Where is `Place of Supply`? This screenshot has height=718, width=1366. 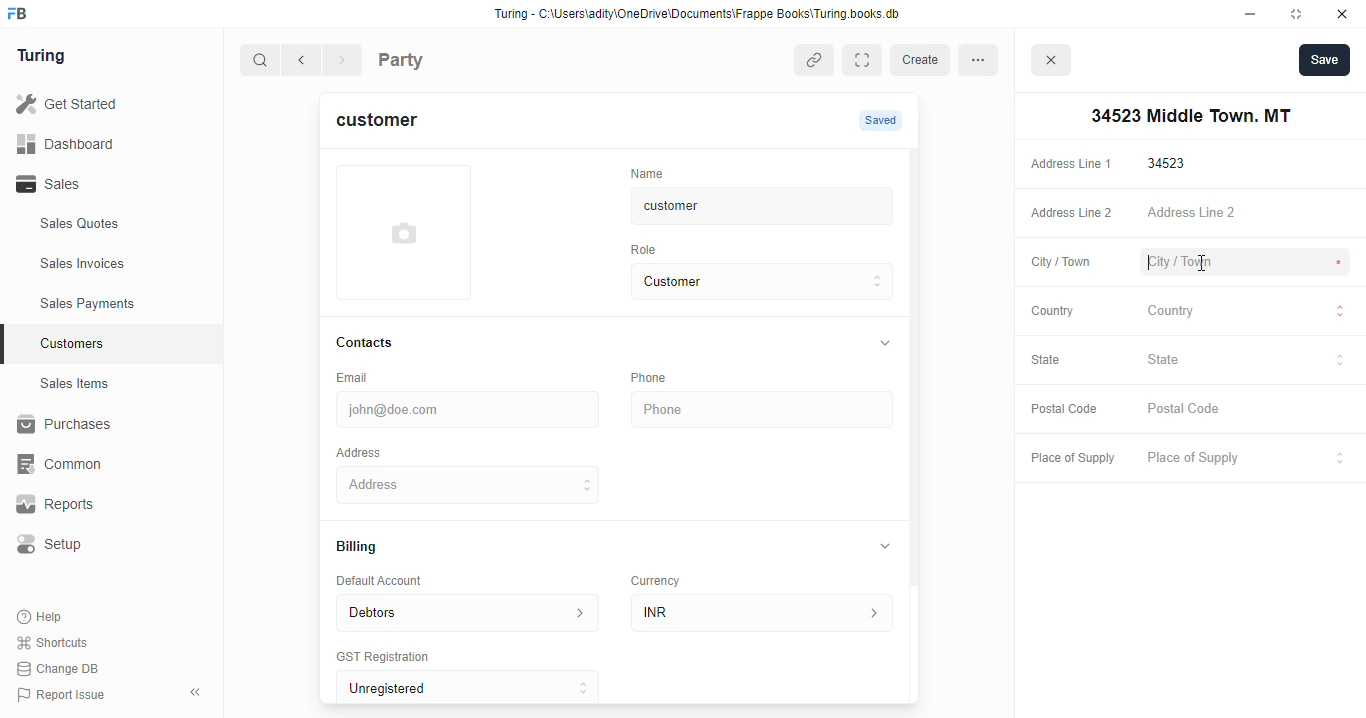
Place of Supply is located at coordinates (1243, 459).